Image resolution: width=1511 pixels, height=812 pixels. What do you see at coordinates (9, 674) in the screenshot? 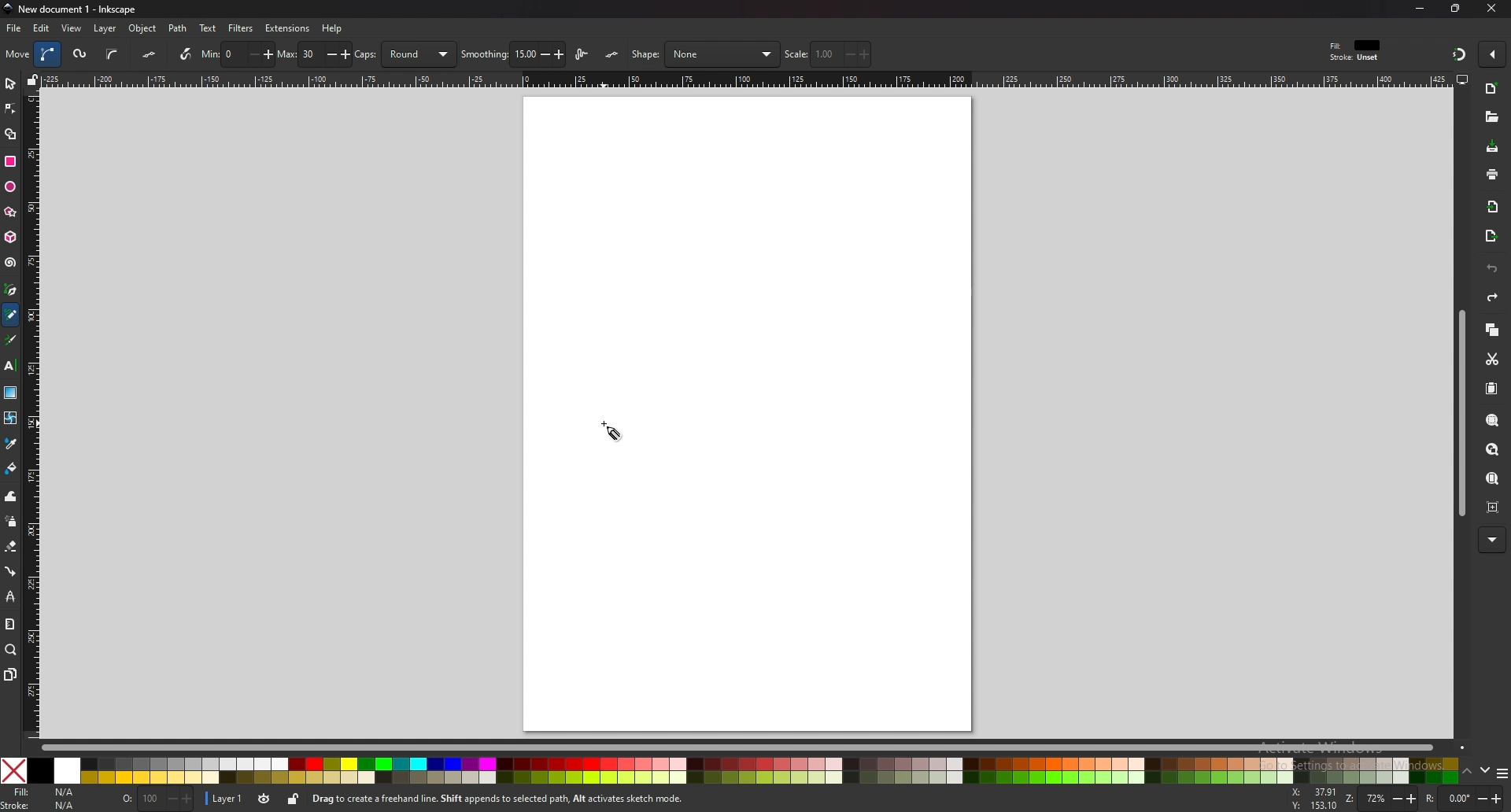
I see `pages` at bounding box center [9, 674].